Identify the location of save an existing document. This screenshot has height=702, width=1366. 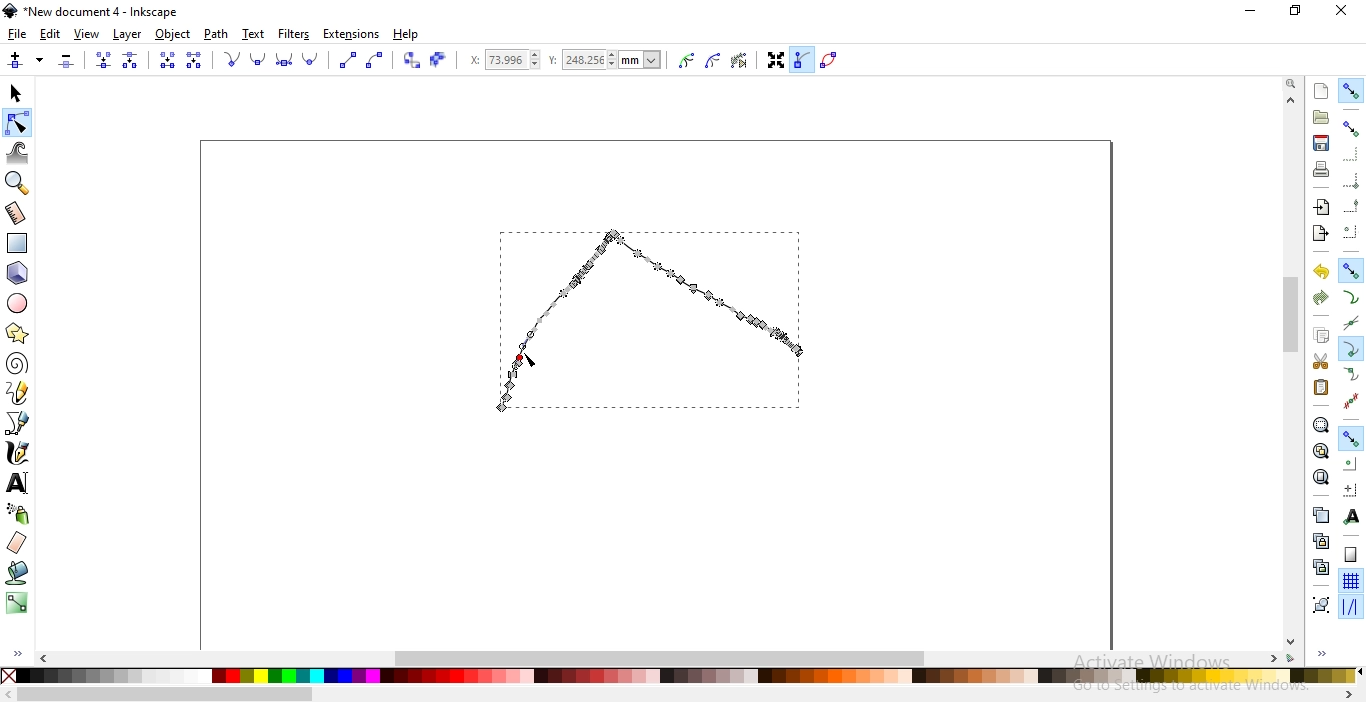
(1321, 142).